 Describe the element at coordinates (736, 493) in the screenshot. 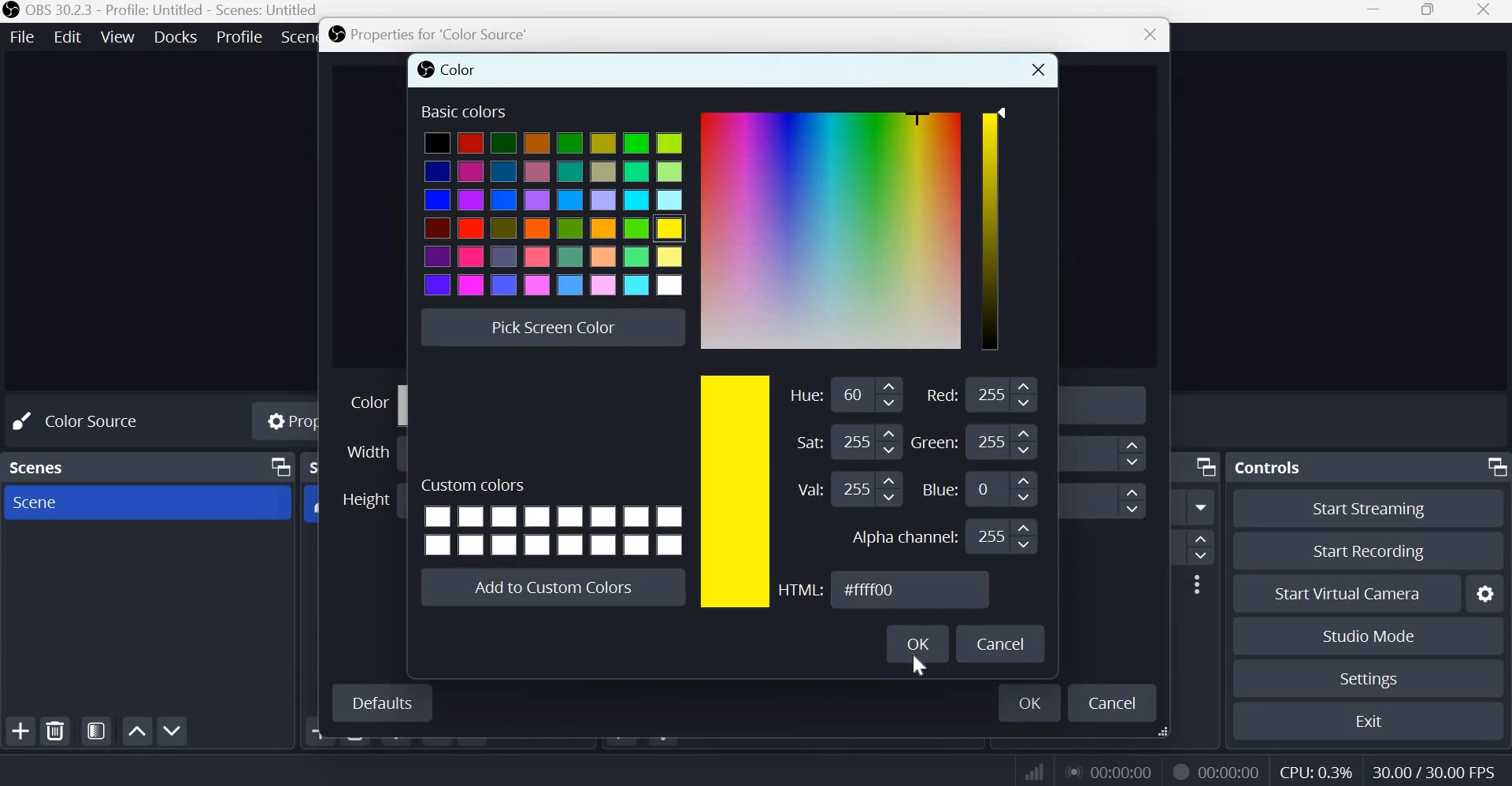

I see `color scale` at that location.